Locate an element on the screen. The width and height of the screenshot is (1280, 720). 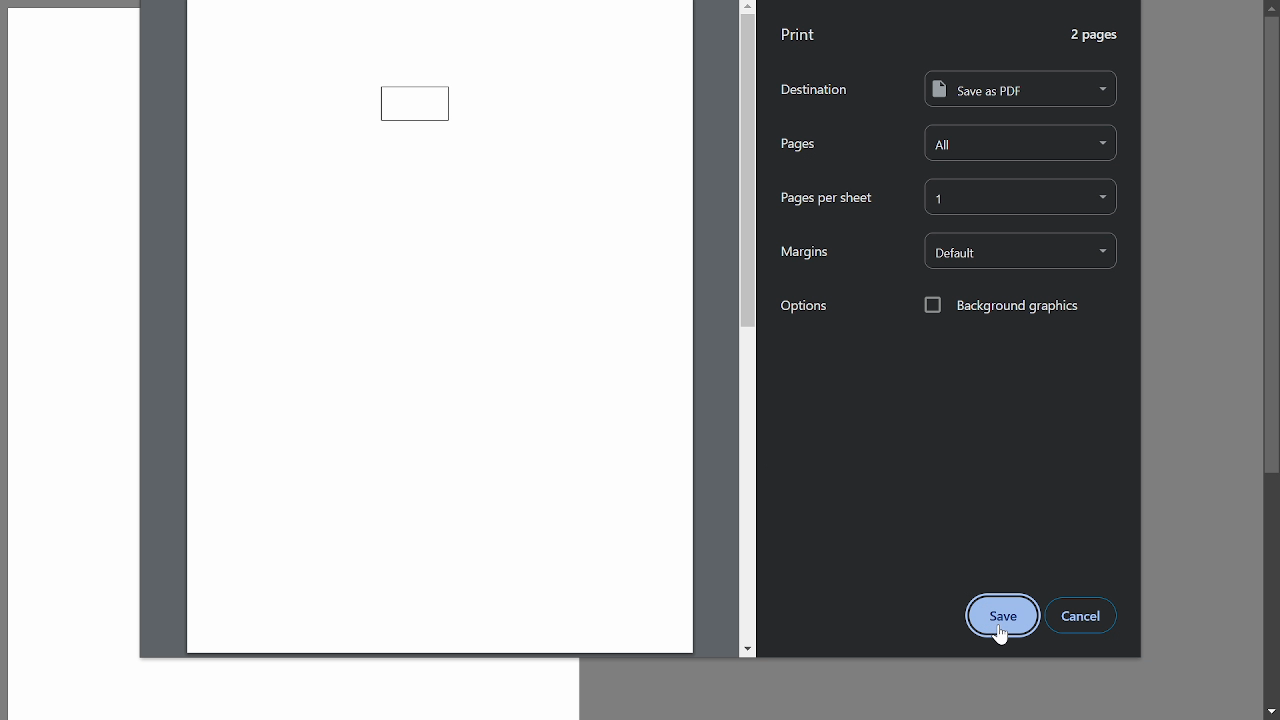
save as pdf is located at coordinates (1024, 89).